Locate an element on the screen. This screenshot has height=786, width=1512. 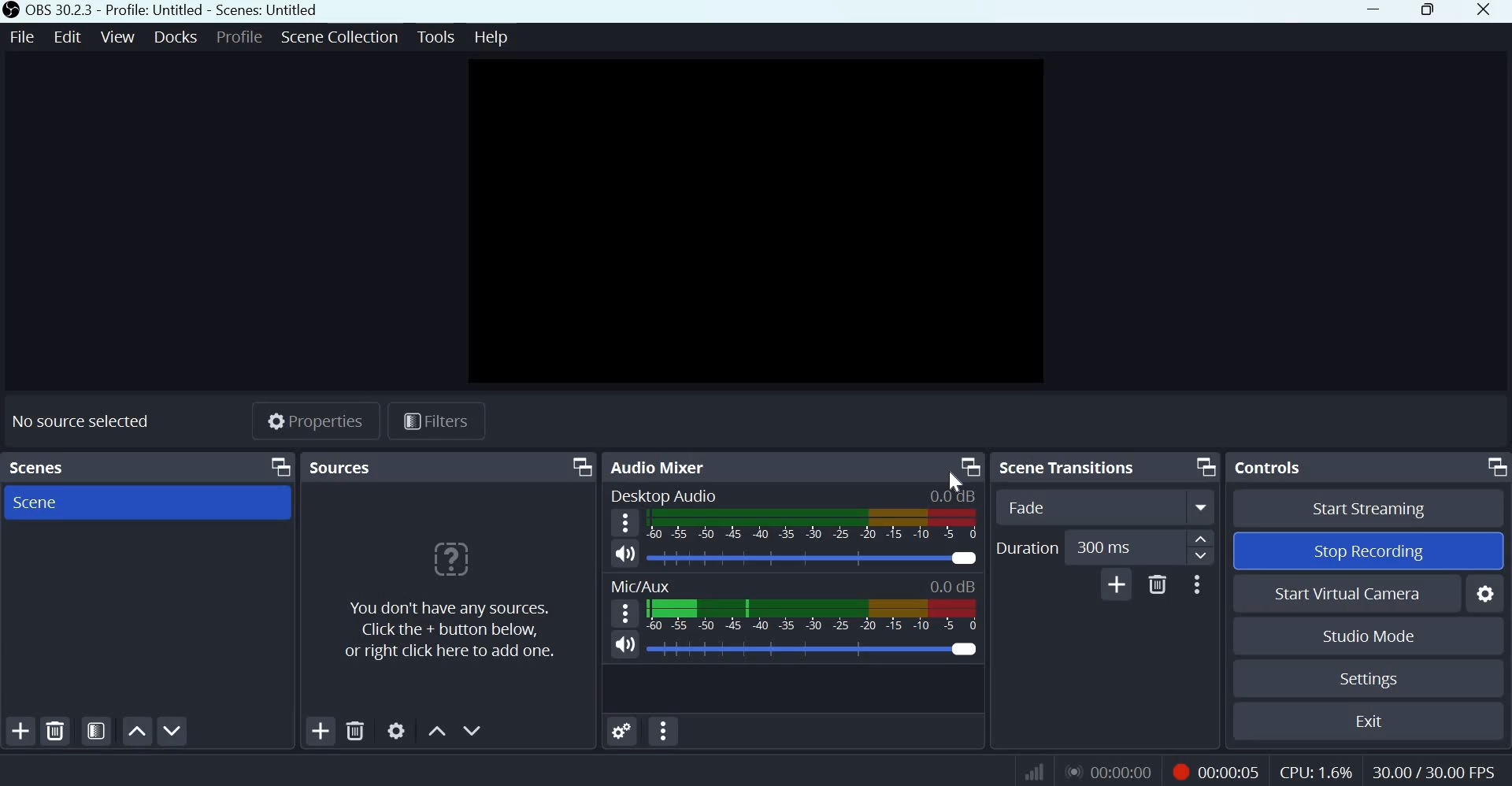
Decrease is located at coordinates (1204, 557).